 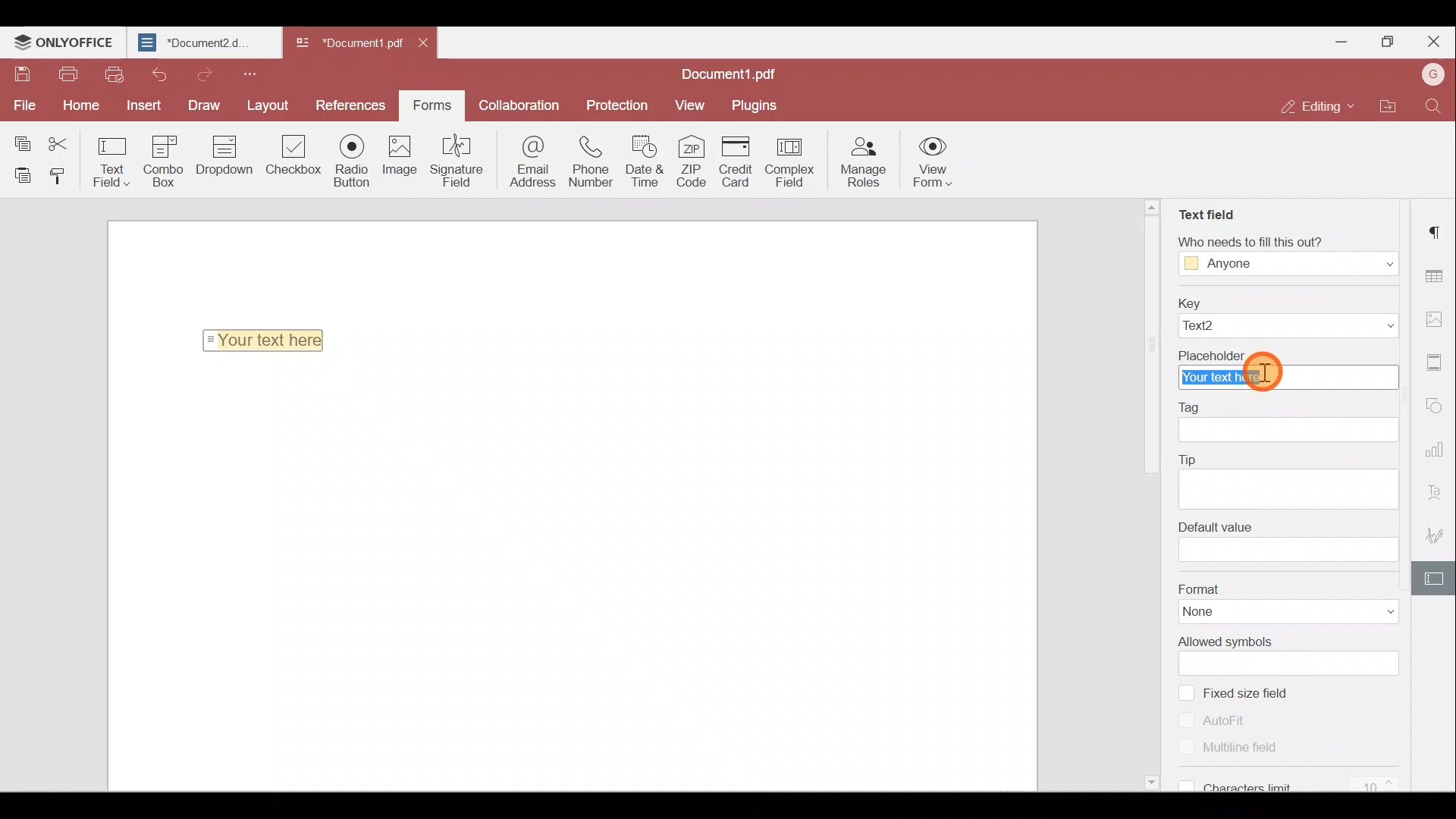 What do you see at coordinates (1185, 692) in the screenshot?
I see `checkbox` at bounding box center [1185, 692].